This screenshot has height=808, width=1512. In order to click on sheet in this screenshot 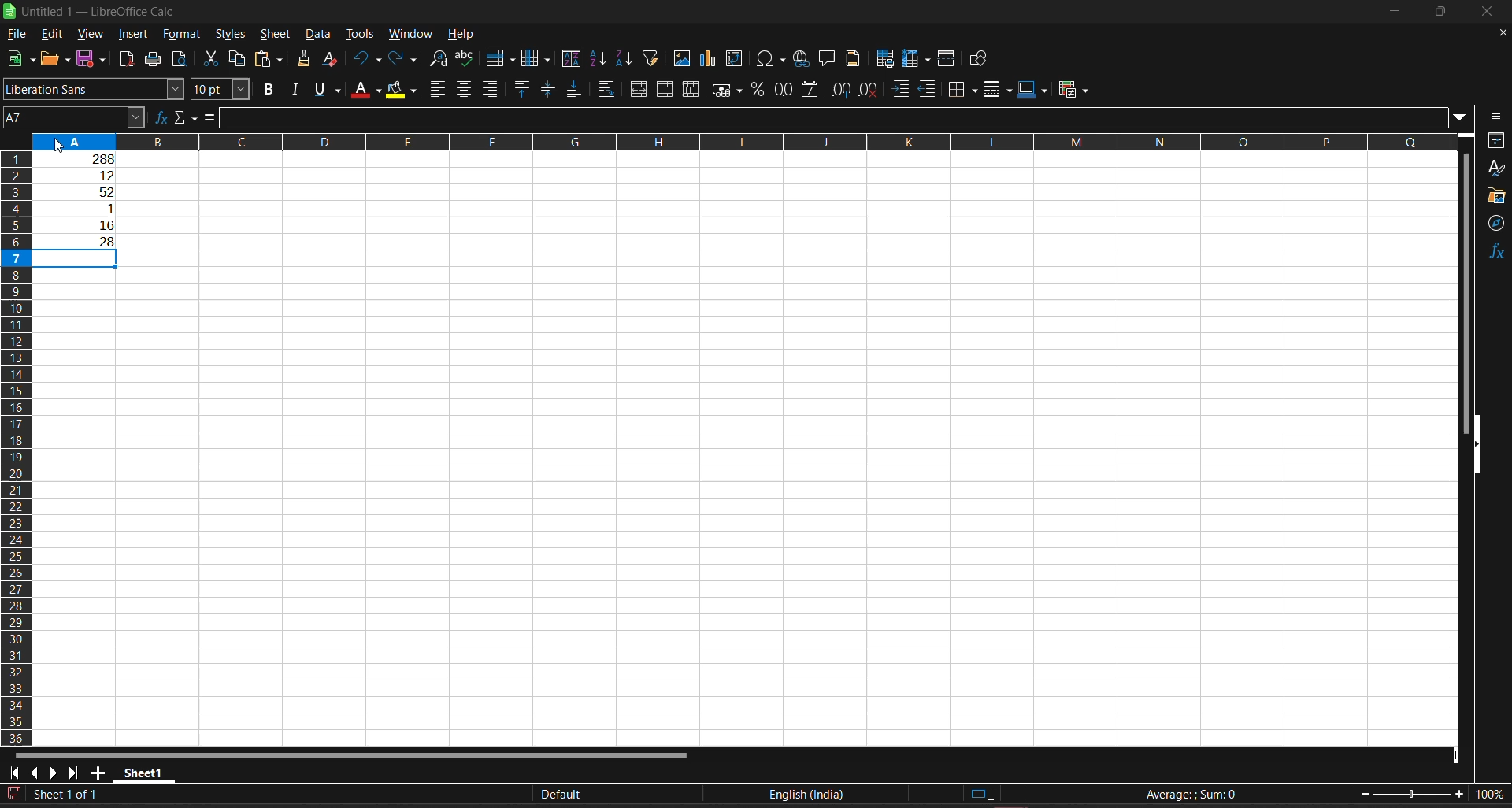, I will do `click(277, 35)`.